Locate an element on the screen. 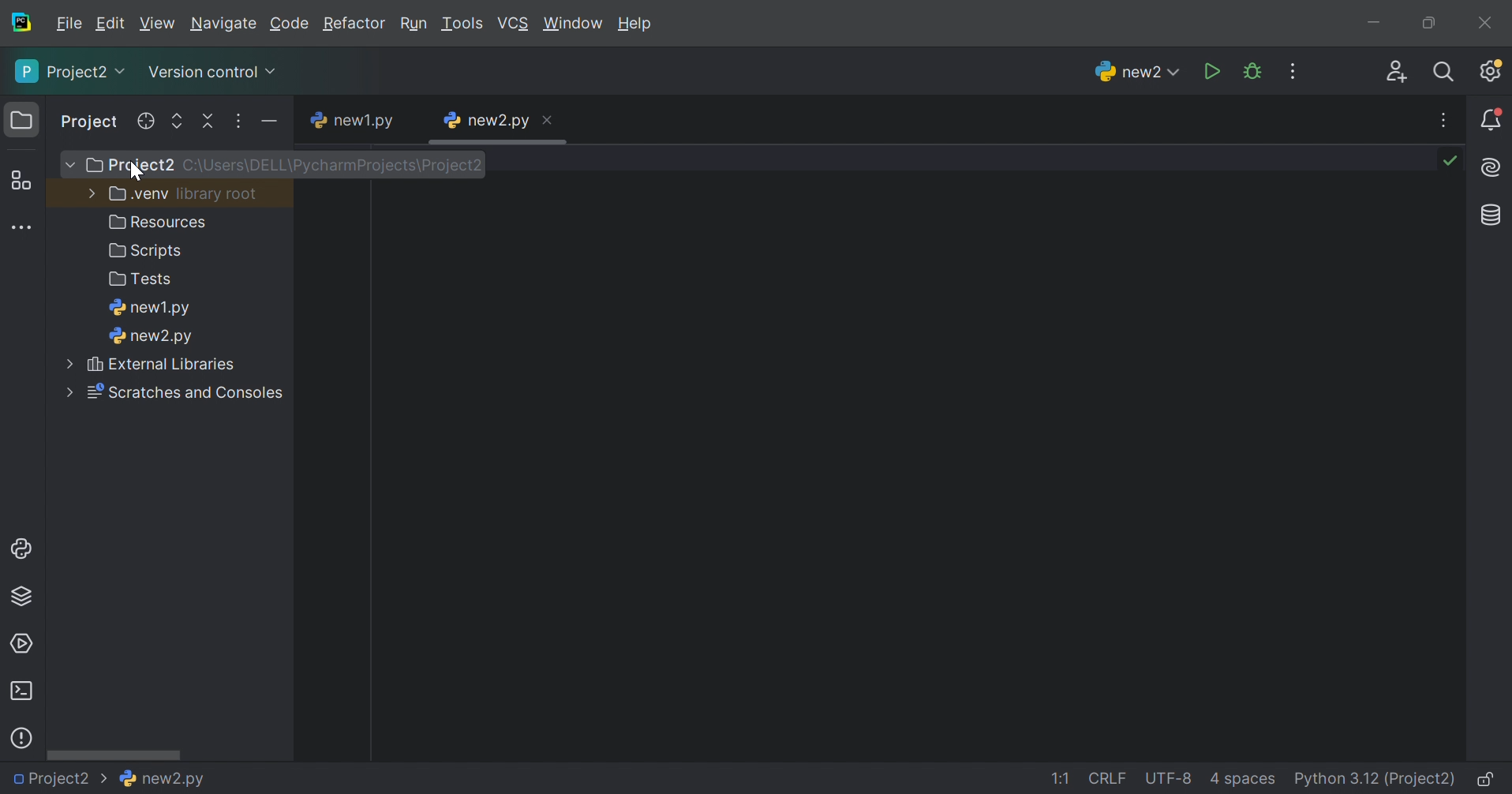  Project is located at coordinates (91, 121).